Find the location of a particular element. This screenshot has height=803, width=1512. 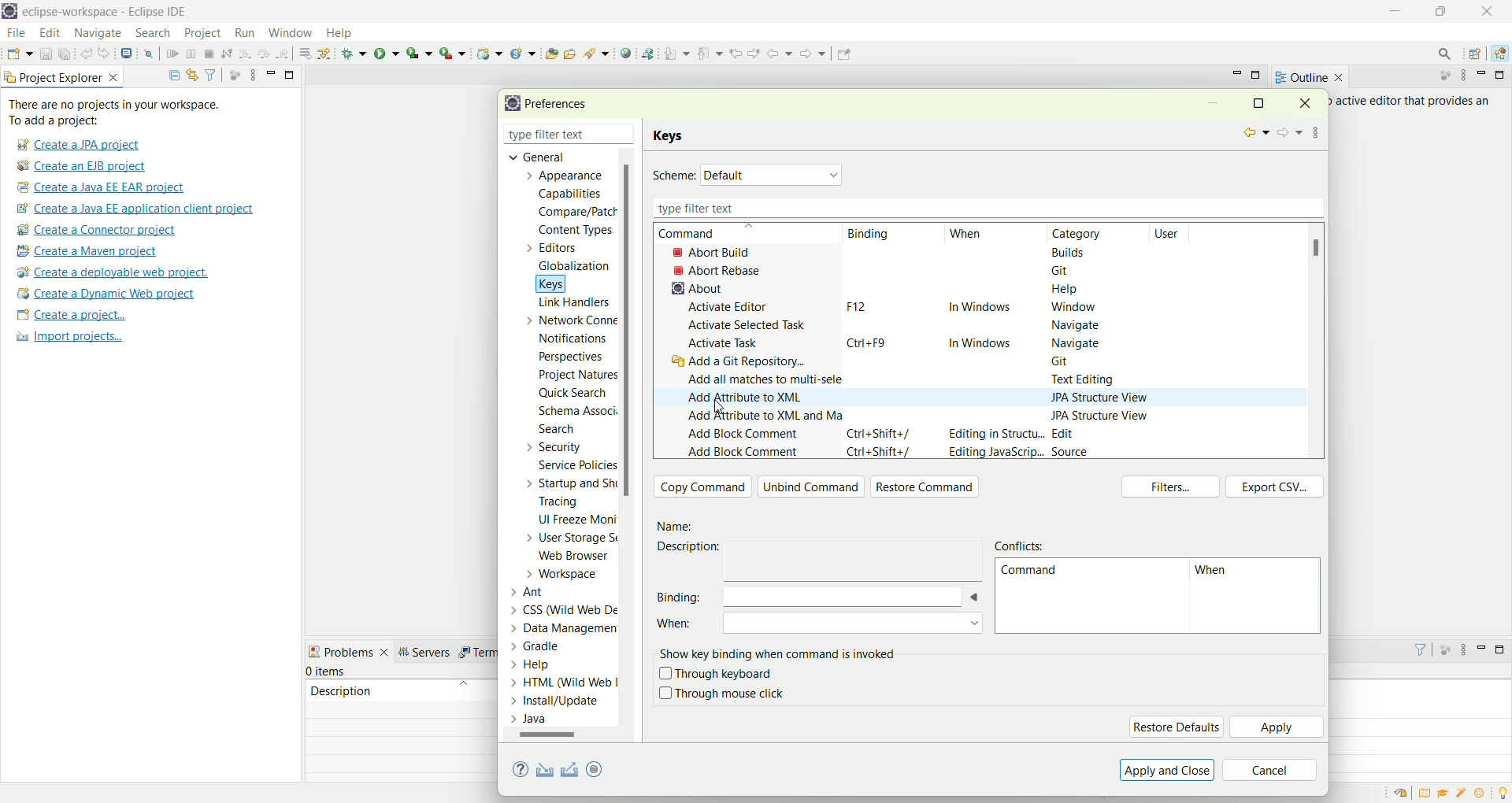

save all is located at coordinates (65, 54).